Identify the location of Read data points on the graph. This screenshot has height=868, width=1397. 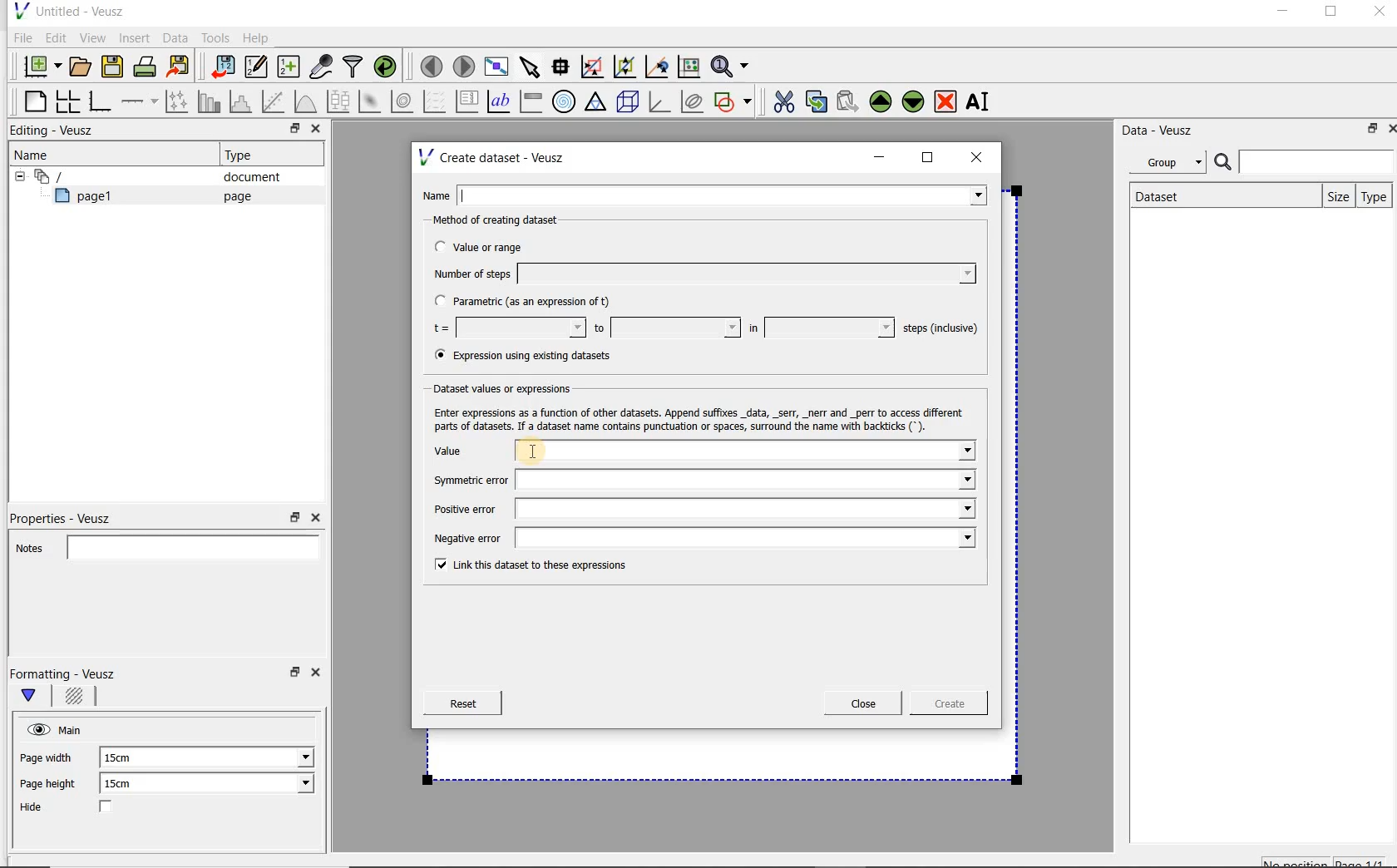
(563, 67).